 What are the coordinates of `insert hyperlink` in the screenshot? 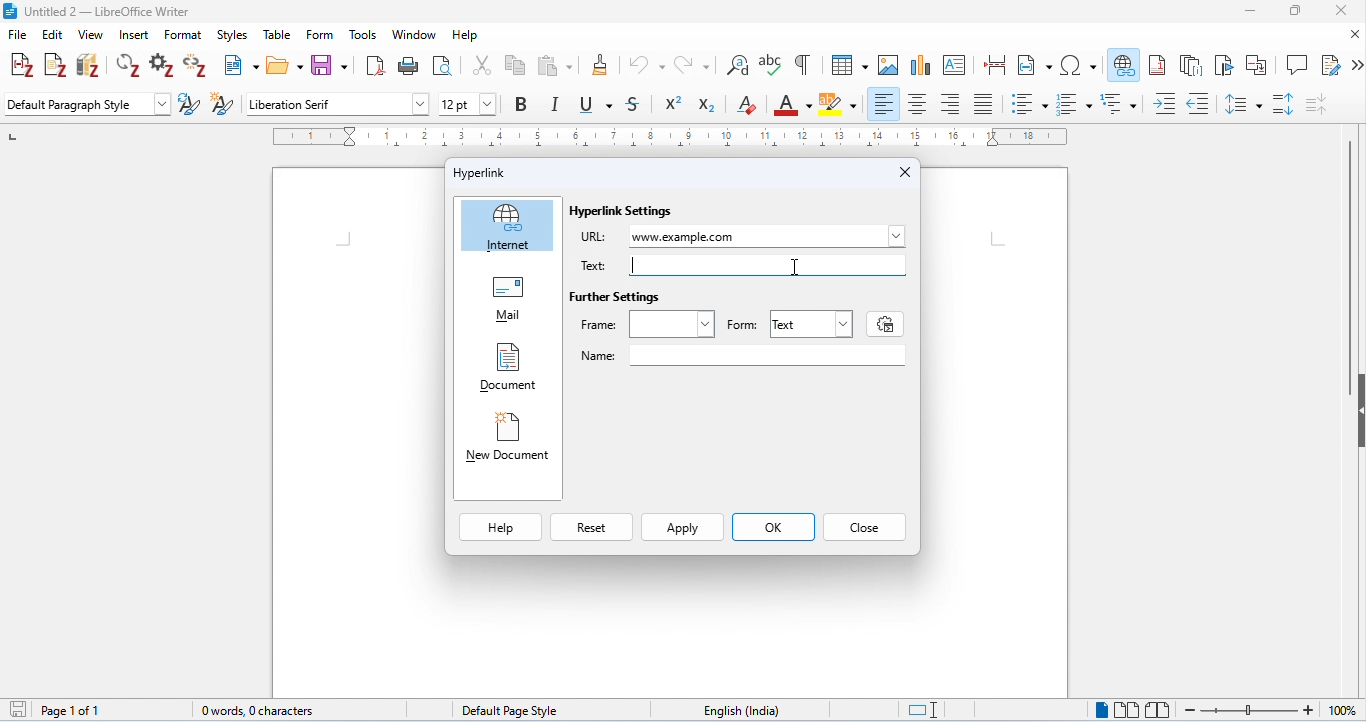 It's located at (1122, 62).